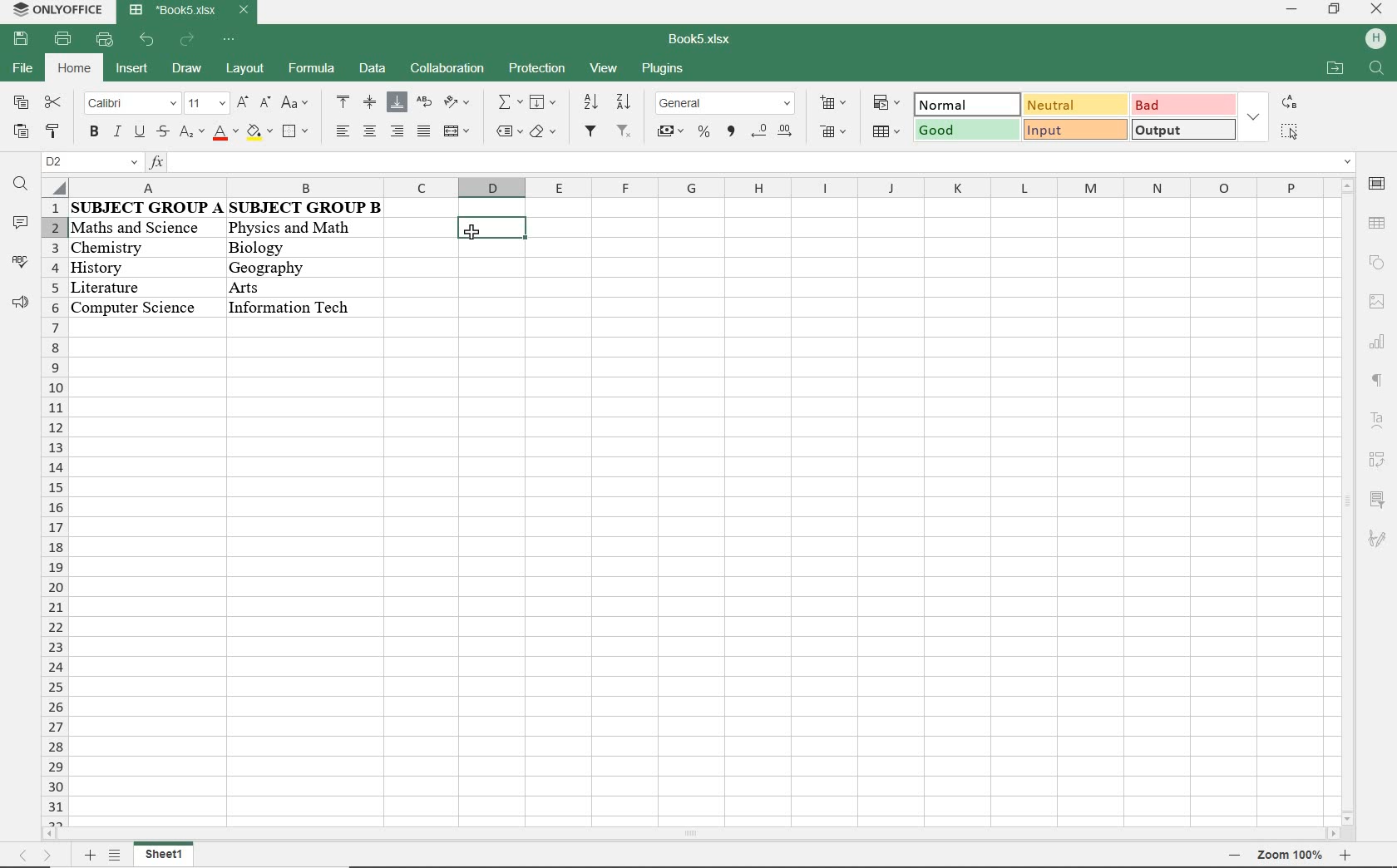  I want to click on borders, so click(297, 133).